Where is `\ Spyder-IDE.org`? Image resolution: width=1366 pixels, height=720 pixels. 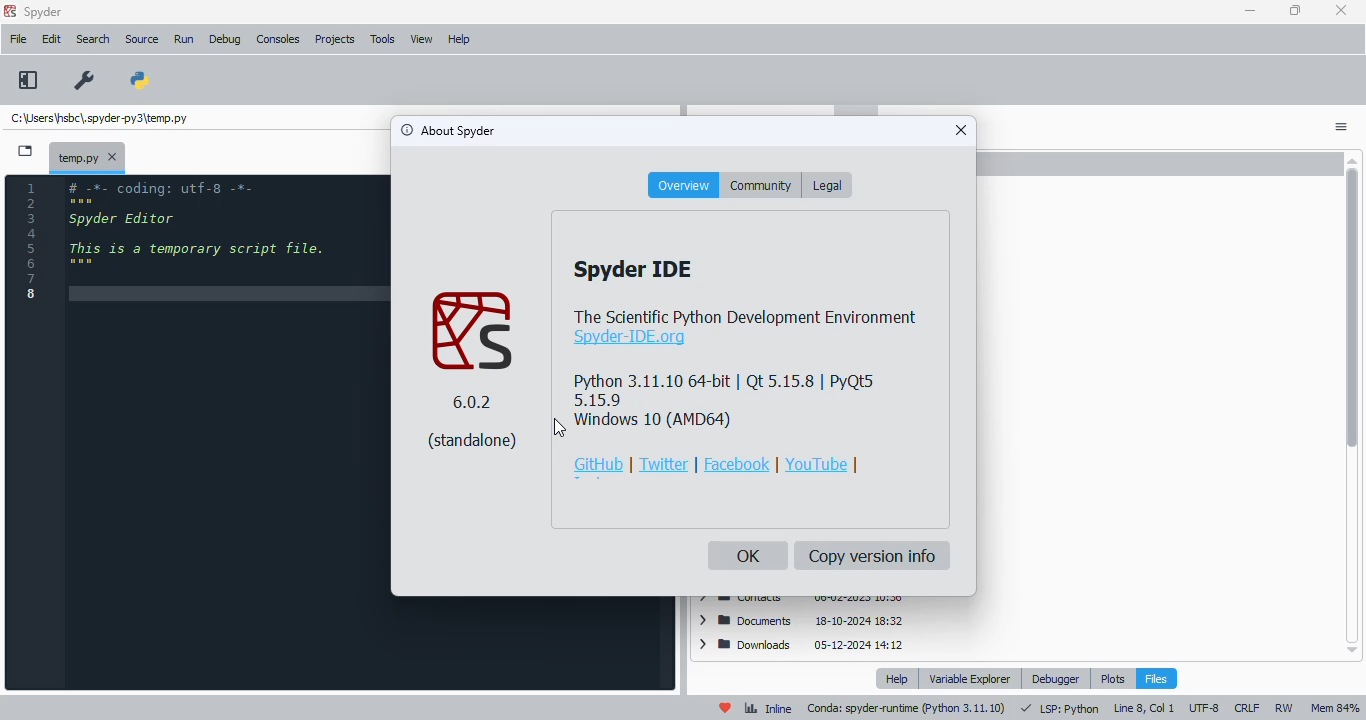
\ Spyder-IDE.org is located at coordinates (627, 338).